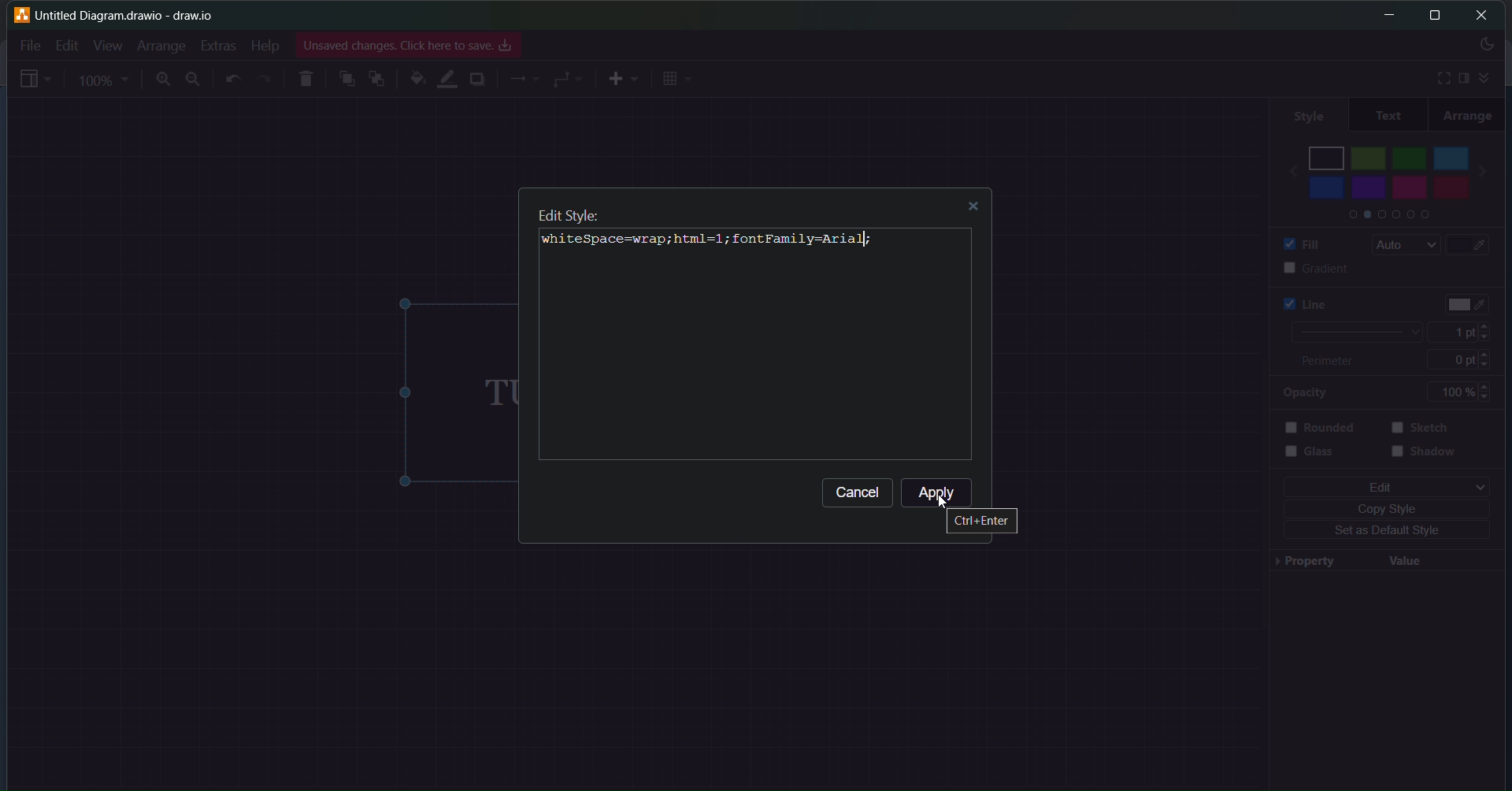 The height and width of the screenshot is (791, 1512). I want to click on Cancel, so click(858, 496).